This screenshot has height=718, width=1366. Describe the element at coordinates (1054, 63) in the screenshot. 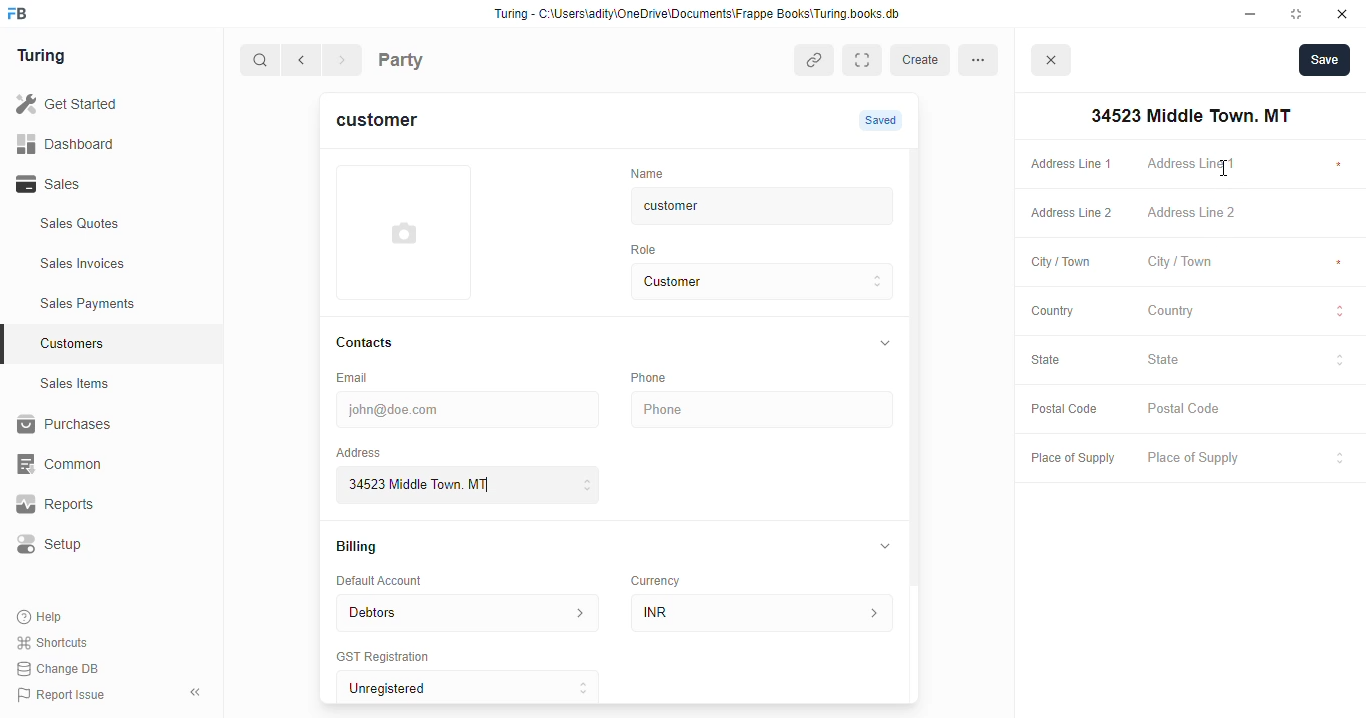

I see `close` at that location.